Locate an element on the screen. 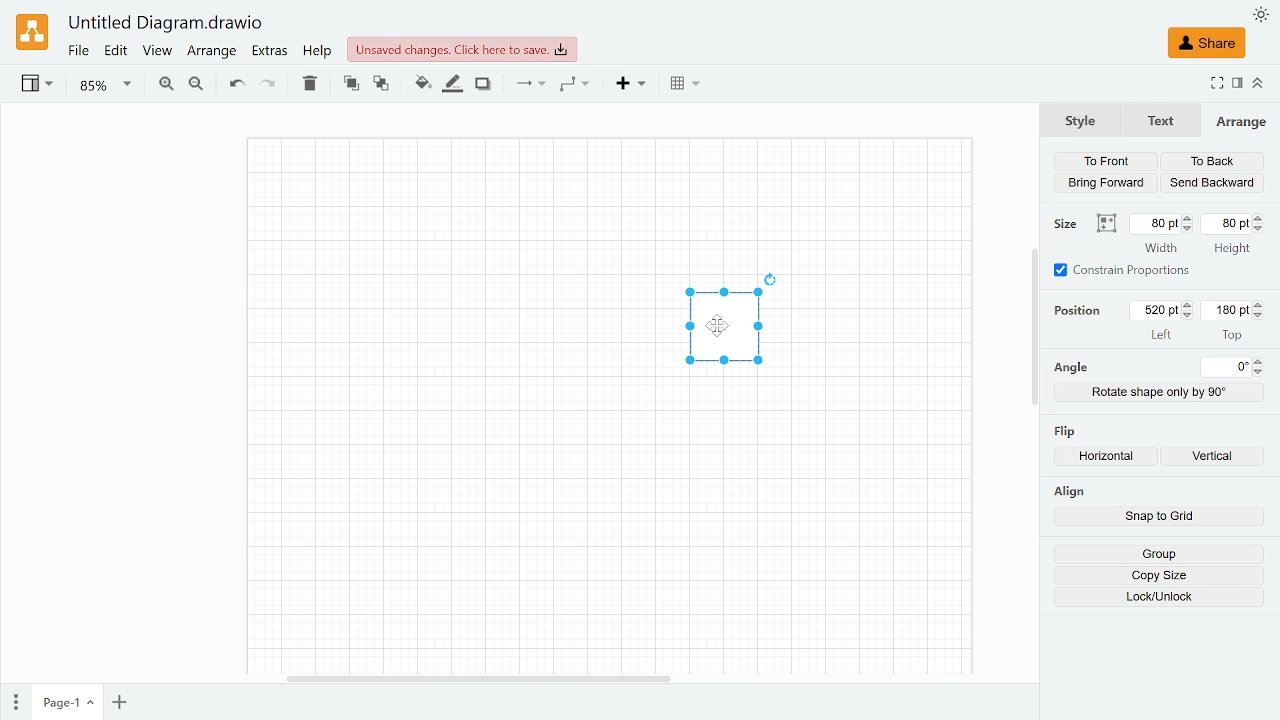 The height and width of the screenshot is (720, 1280). Current angle is located at coordinates (1227, 367).